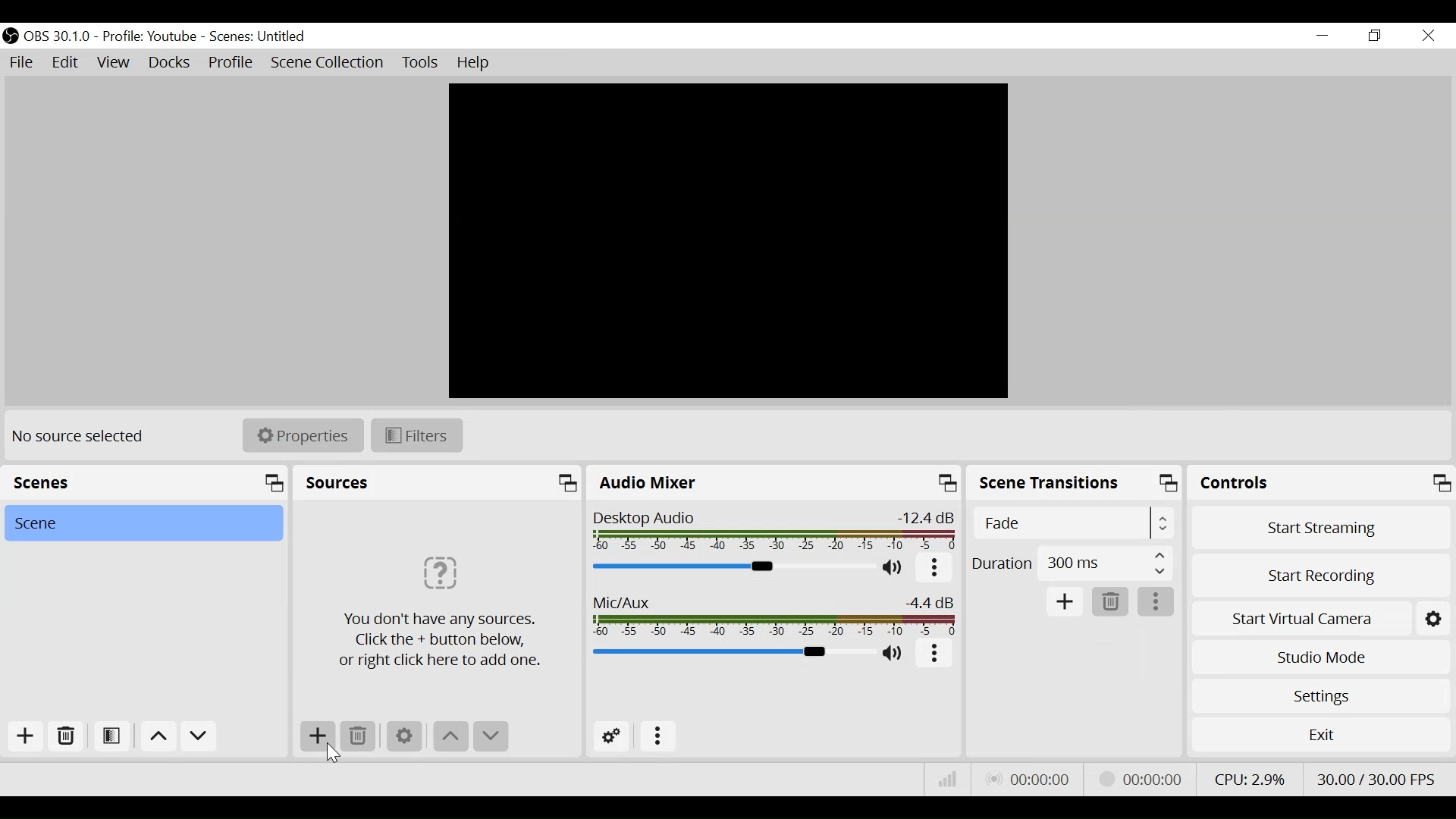  What do you see at coordinates (418, 62) in the screenshot?
I see `Tools` at bounding box center [418, 62].